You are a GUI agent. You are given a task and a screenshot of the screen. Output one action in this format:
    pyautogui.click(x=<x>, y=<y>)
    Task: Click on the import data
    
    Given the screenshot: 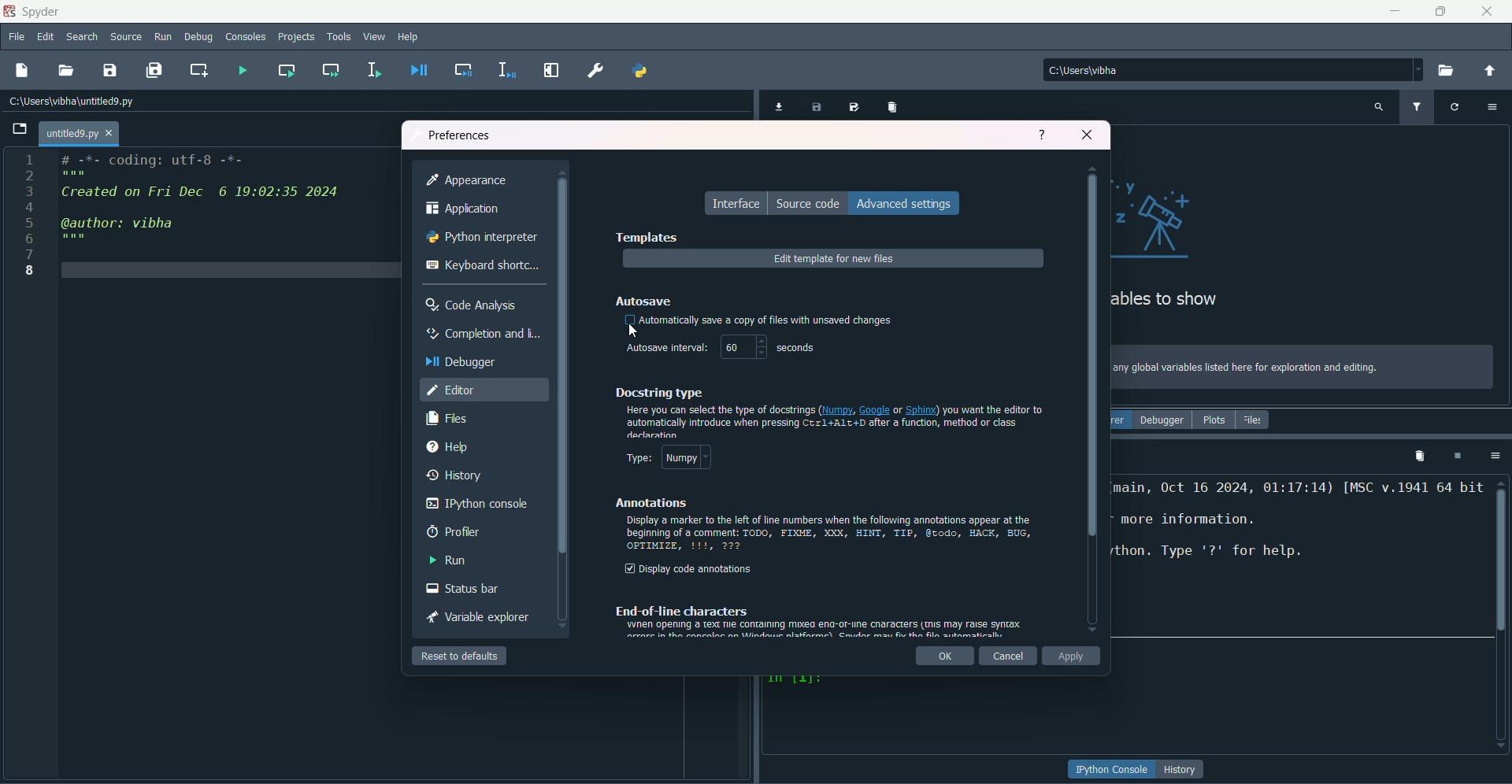 What is the action you would take?
    pyautogui.click(x=777, y=108)
    